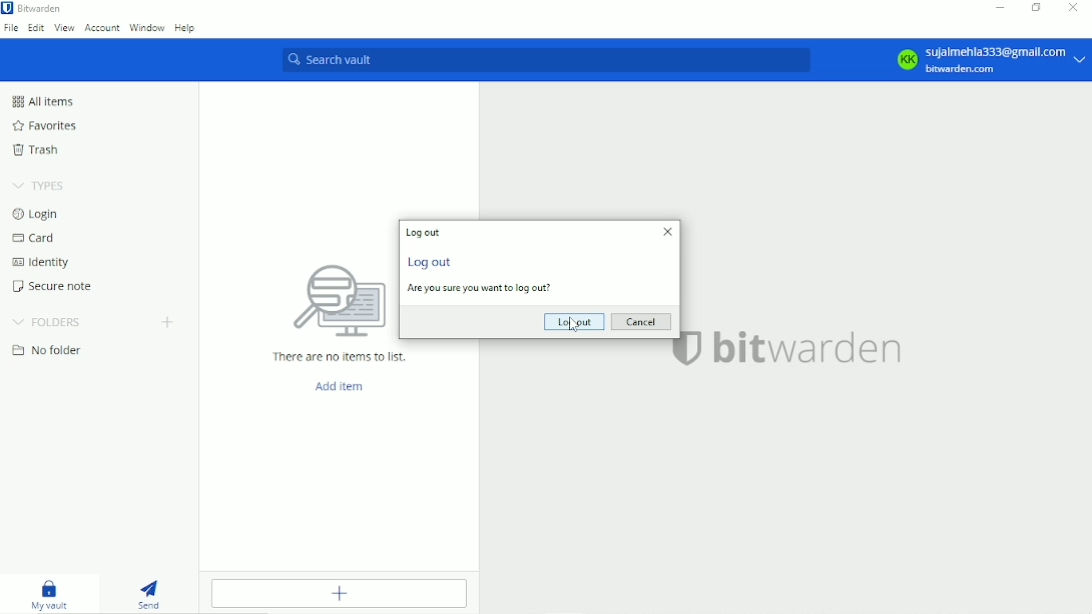  What do you see at coordinates (42, 184) in the screenshot?
I see `Types` at bounding box center [42, 184].